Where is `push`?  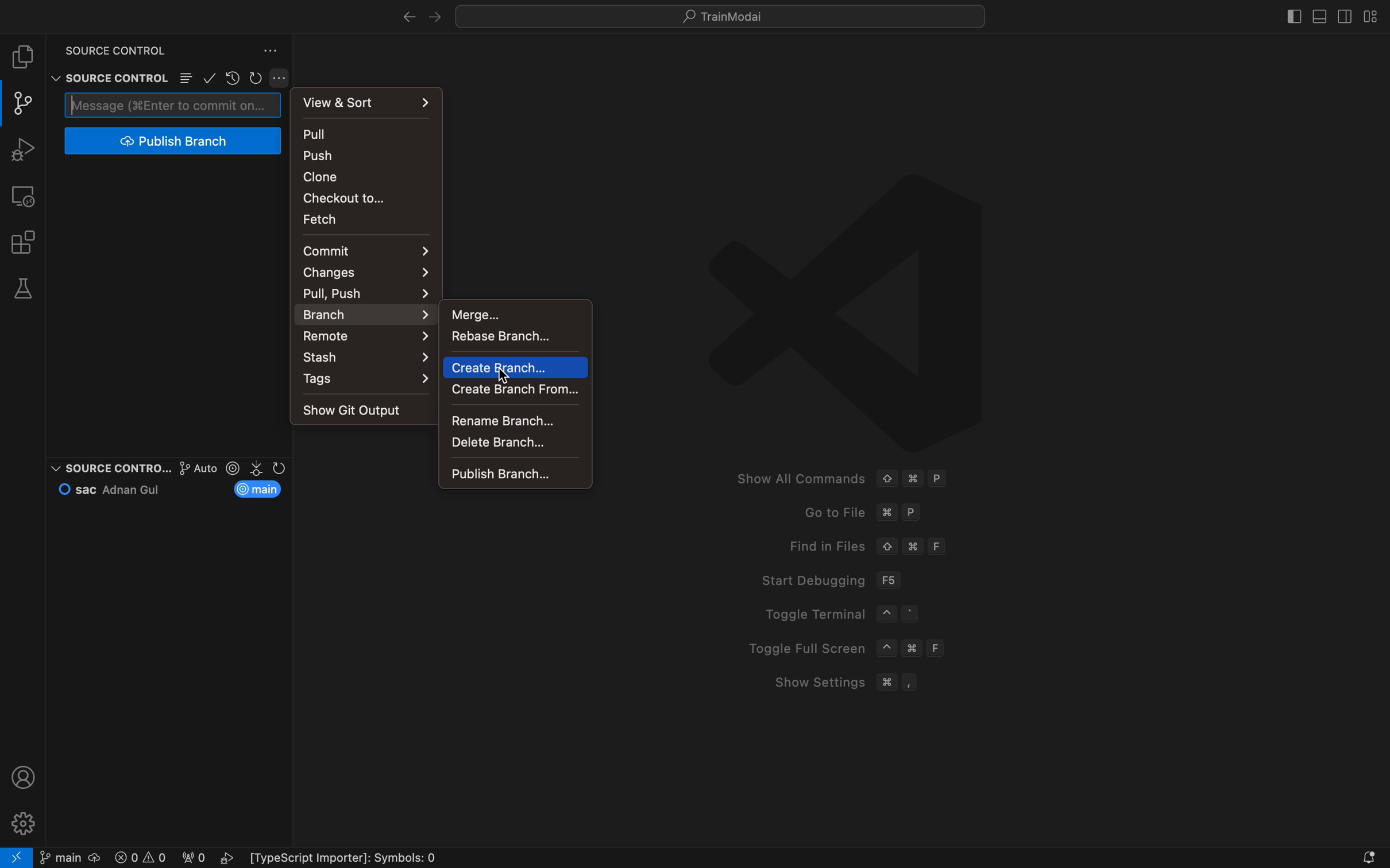
push is located at coordinates (368, 156).